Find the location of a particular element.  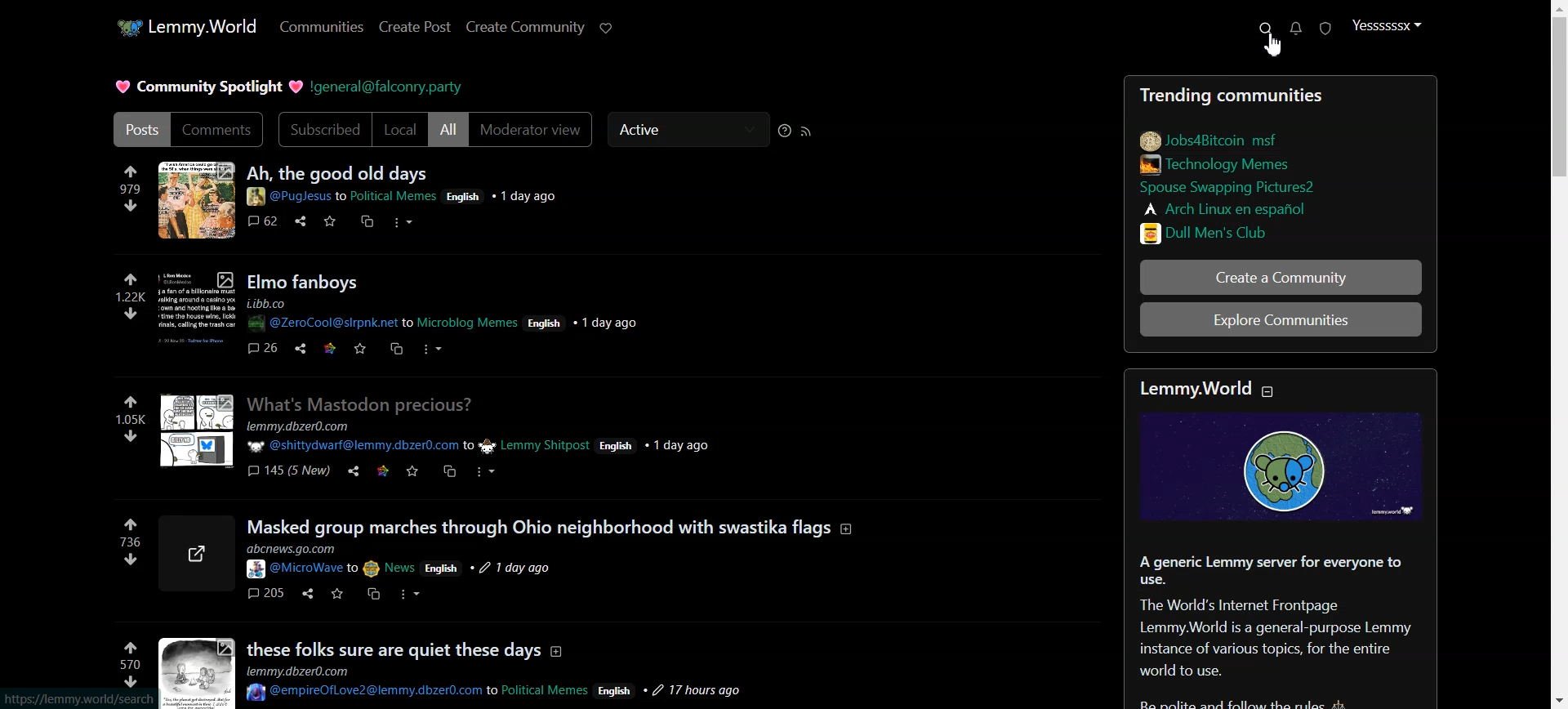

cross post is located at coordinates (367, 222).